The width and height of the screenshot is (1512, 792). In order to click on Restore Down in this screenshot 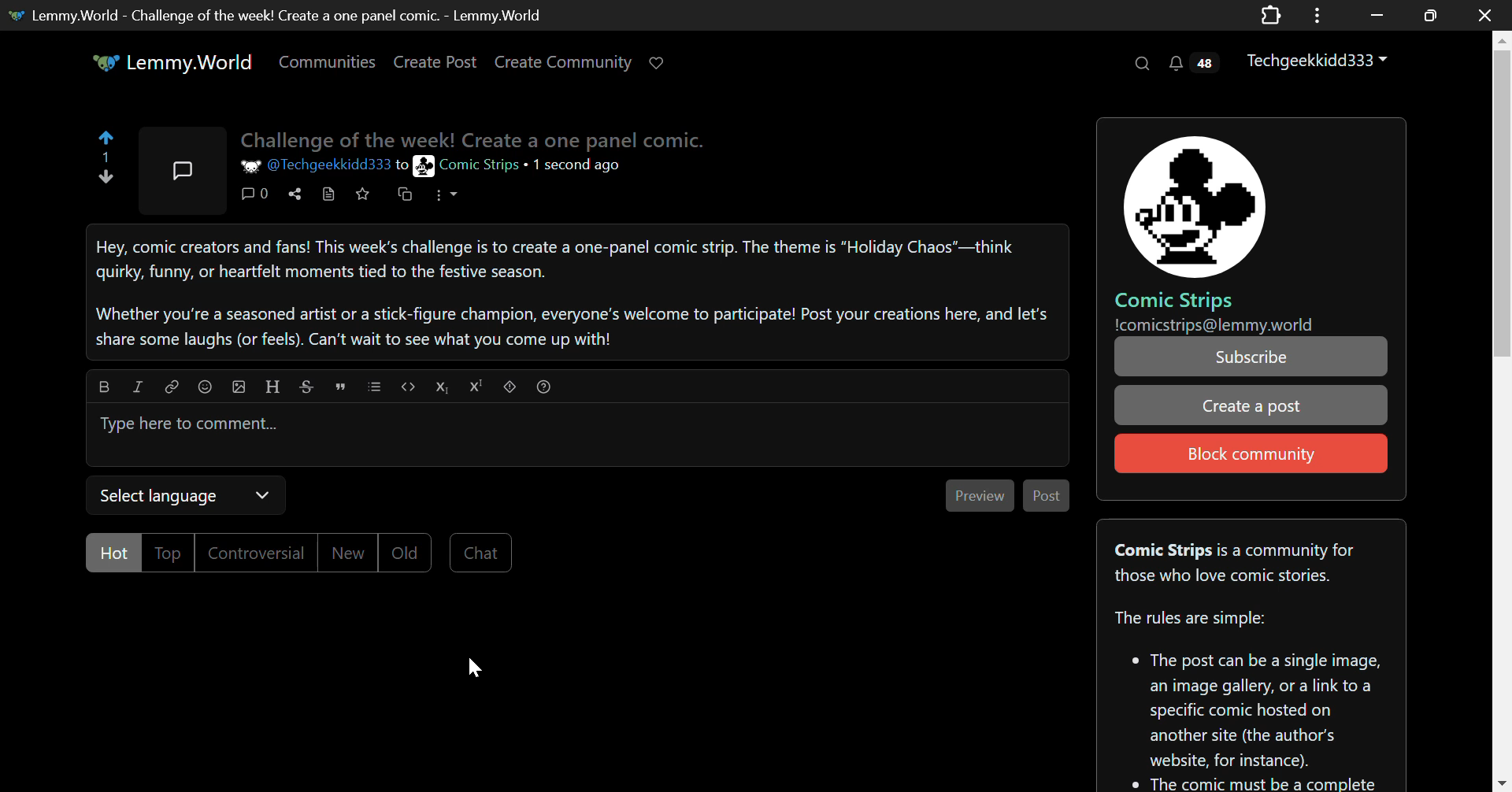, I will do `click(1377, 13)`.